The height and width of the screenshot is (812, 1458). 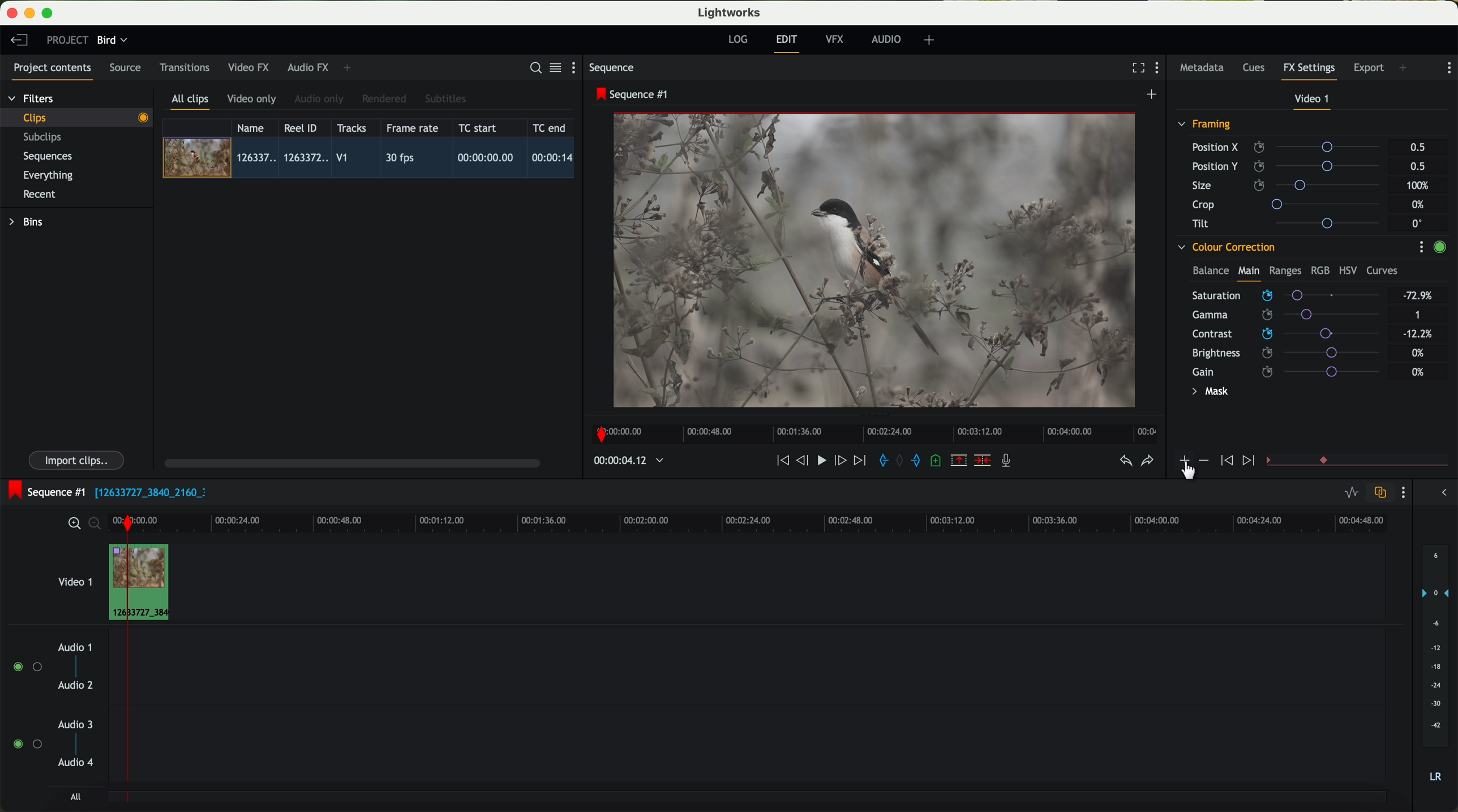 What do you see at coordinates (1418, 316) in the screenshot?
I see `1` at bounding box center [1418, 316].